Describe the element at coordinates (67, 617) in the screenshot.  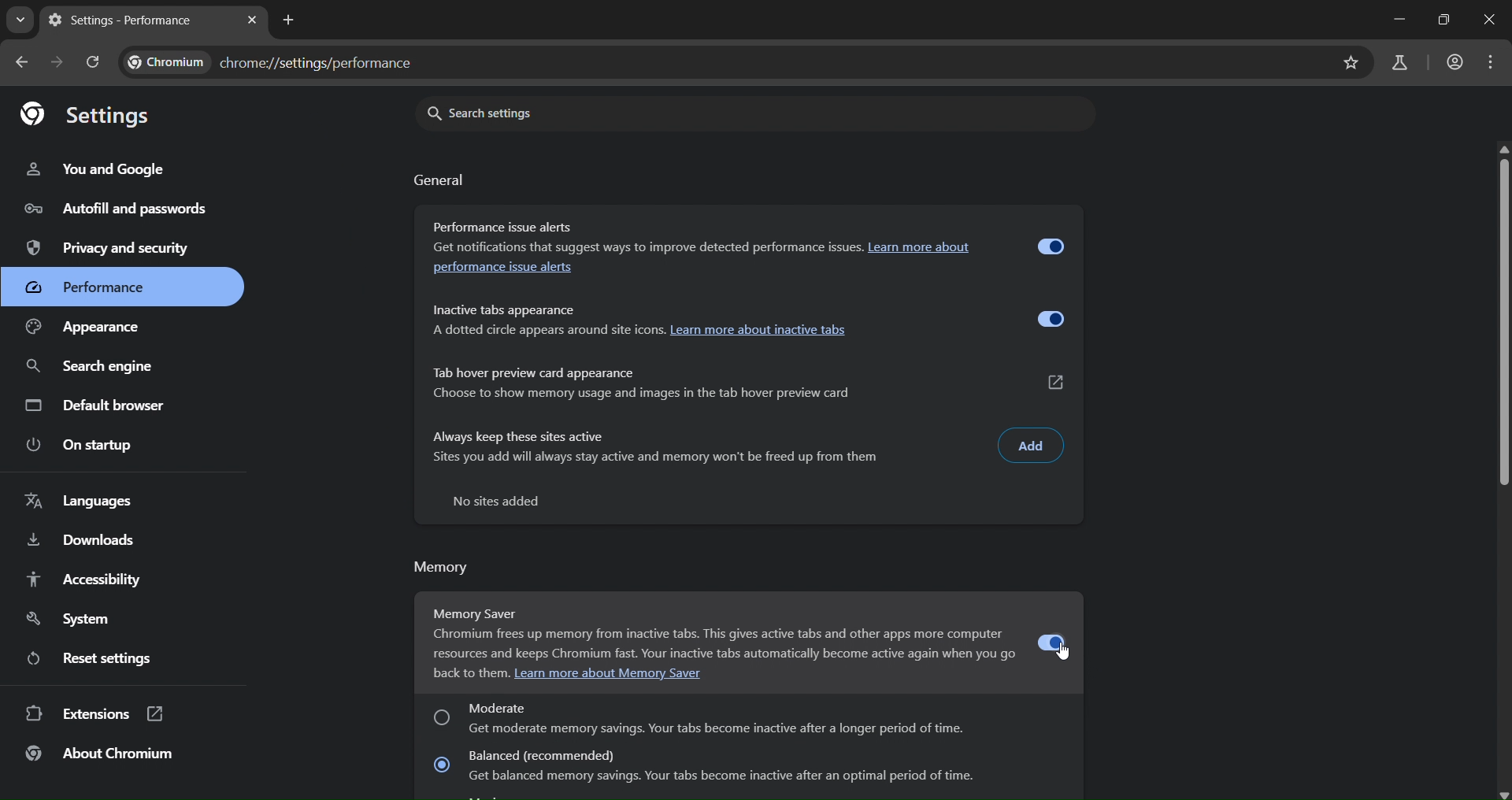
I see `System` at that location.